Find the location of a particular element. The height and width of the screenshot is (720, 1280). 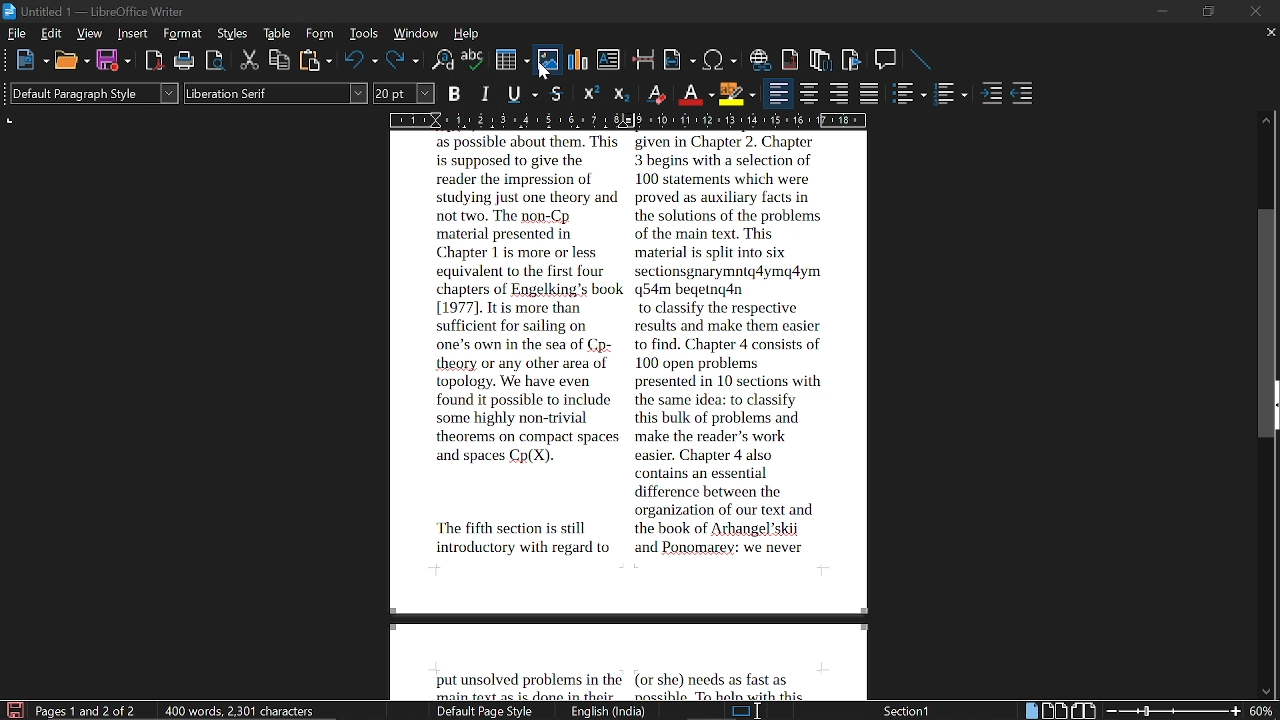

print is located at coordinates (185, 61).